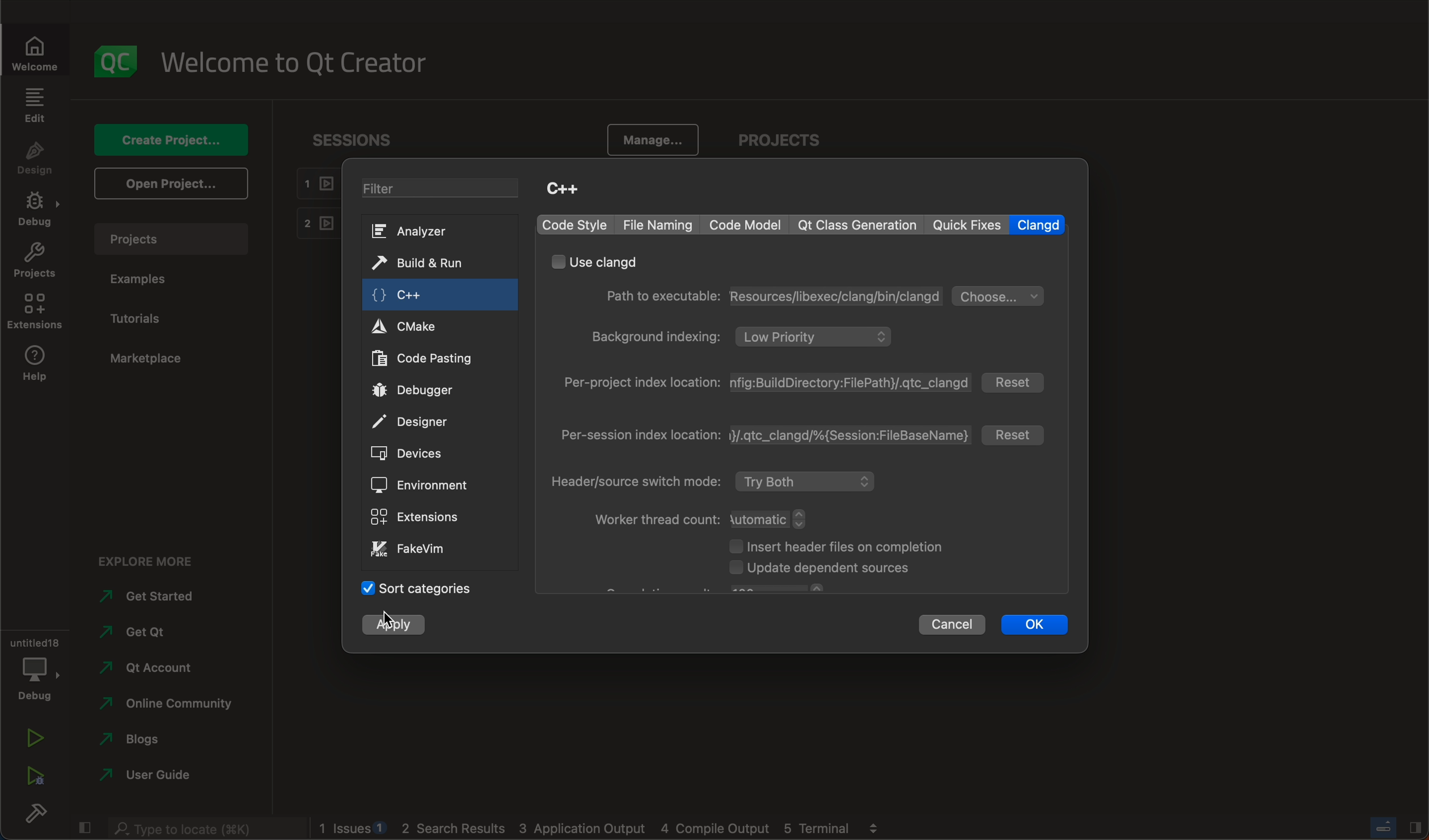 The width and height of the screenshot is (1429, 840). Describe the element at coordinates (34, 104) in the screenshot. I see `edit` at that location.